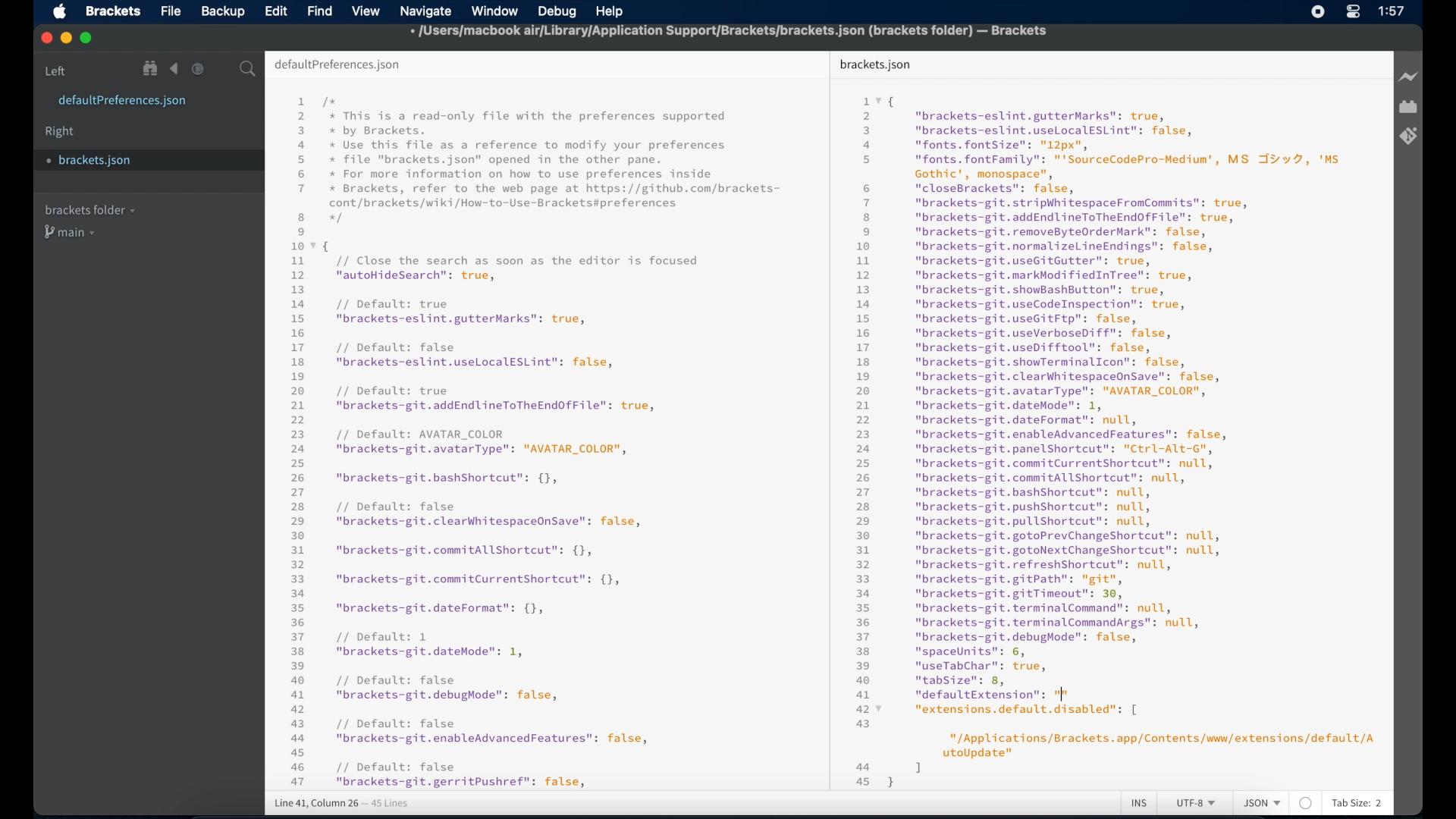  I want to click on 1v{2 "brackets-eslint.gutterMarks": true,3 "brackets-eslint.uselocalESLint": false,4 "fonts. fontSize": "12px",5 "fonts. fontFamily": "'SourceCodePro-Medium', MS JY v%, 'MSGothic’, monospace”,6 "closeBrackets": false,7 "brackets-git.stripWhitespaceFromCommits": true,8 "brackets-git.addEndlineToTheEndOfFile": true,9 "brackets-git.removeByteOrderMark": false,10 "brackets-git.normalizelineEndings": false,1 "brackets-git.useGitGutter": true,12 "brackets-git.markModifiedInTree": true,13 "brackets-git.showBashButton": true,14 "brackets-git.useCodeInspection": true,15 "brackets-git.useGitFtp": false,16 "brackets-git.useVerboseDiff": false,17 "brackets-git.useDifftool": false,18 "brackets-git.showTerminalIcon": false,19 "brackets-git.clearWhitespaceOnsave": false,20 "brackets-git.avatarType": "AVATAR_COLOR",21 "brackets-git.dateMode": 1,22 "brackets-git.dateFormat": null,23 "brackets-git.enableAdvancedFeatures": false,24 "brackets-git.panelshortcut": "Ctrl-Alt-G",25 "brackets-git.commitCurrentShortcut": null,26 "brackets-git.commitAllShortcut": null,27 "brackets-git.bashShortcut": null,28 "brackets-git.pushShortcut": null,29 "brackets-git.pullShortcut": null,30 "brackets-git.gotoPrevChangeShortcut": null,31 "brackets-git.gotoNextChangeShortcut”: null,32 "brackets-git.refreshShortcut": null,33 "brackets-git.gitPath": "git",34 "brackets-git.gitTimeout": 30,1s "brackets-git.terminalCommand”: null,36 "brackets-git.terminalCommandArgs": null,37 "brackets-git.debughode": false,38 "spaceUnits": 6,39 "useTabChar": true,a0 "tabsize": 8,41 "defaultExtension": "['av "extensions.default.disabled": [a3"/Applications/Brackets.app/Contents/www/extensions/default/AutoUpdate"44 ] 45 }, so click(1106, 437).